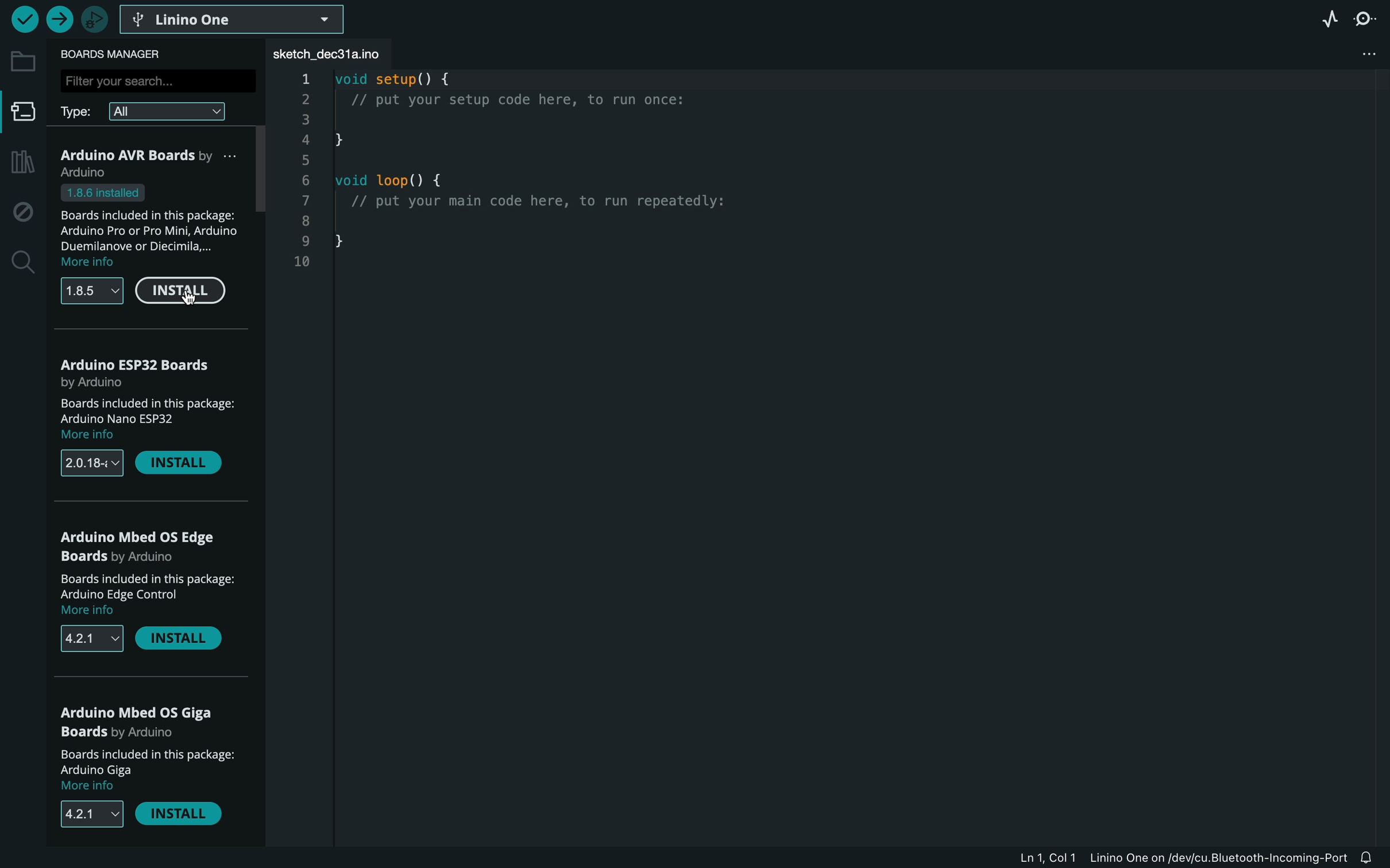  I want to click on folder, so click(23, 61).